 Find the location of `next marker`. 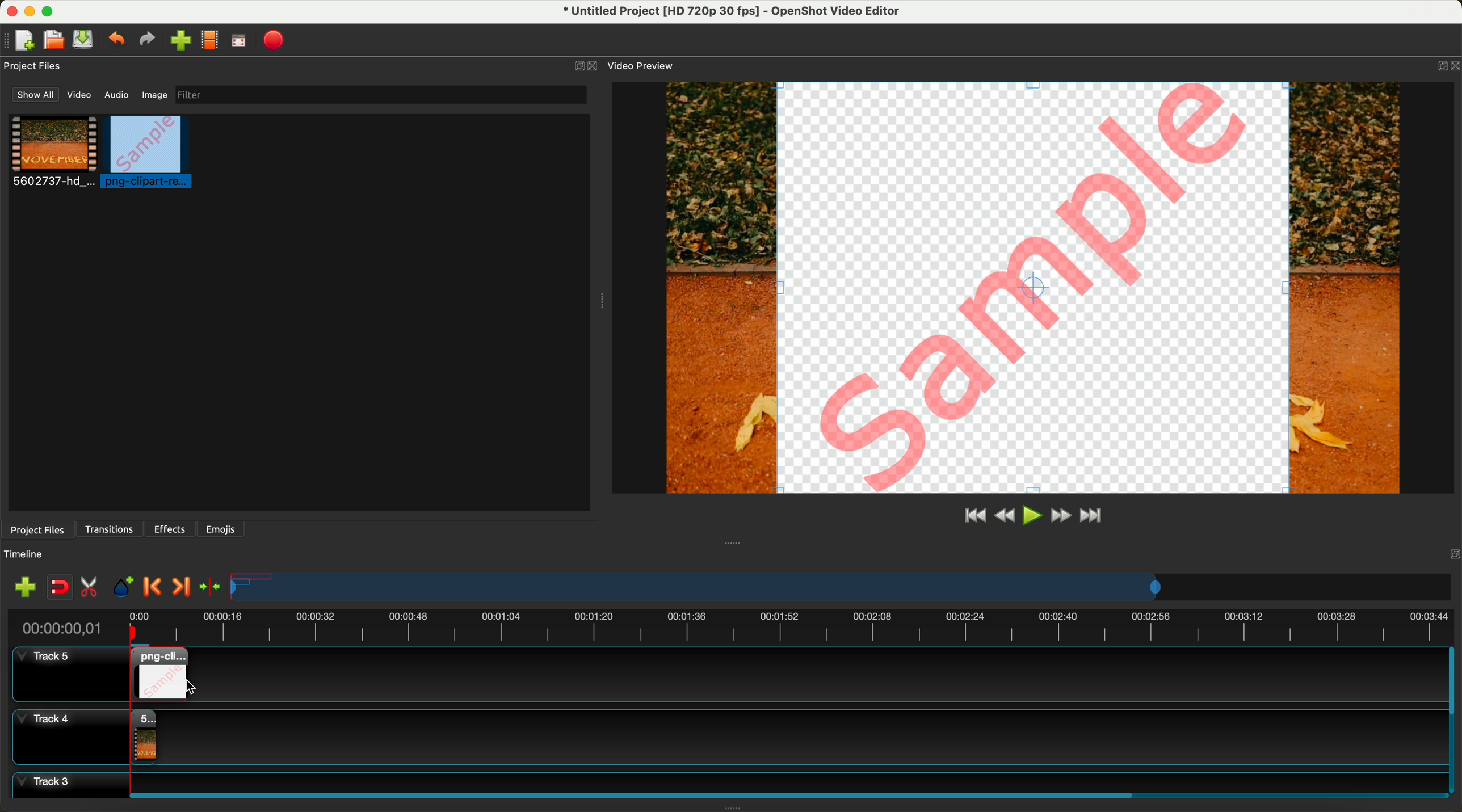

next marker is located at coordinates (180, 587).